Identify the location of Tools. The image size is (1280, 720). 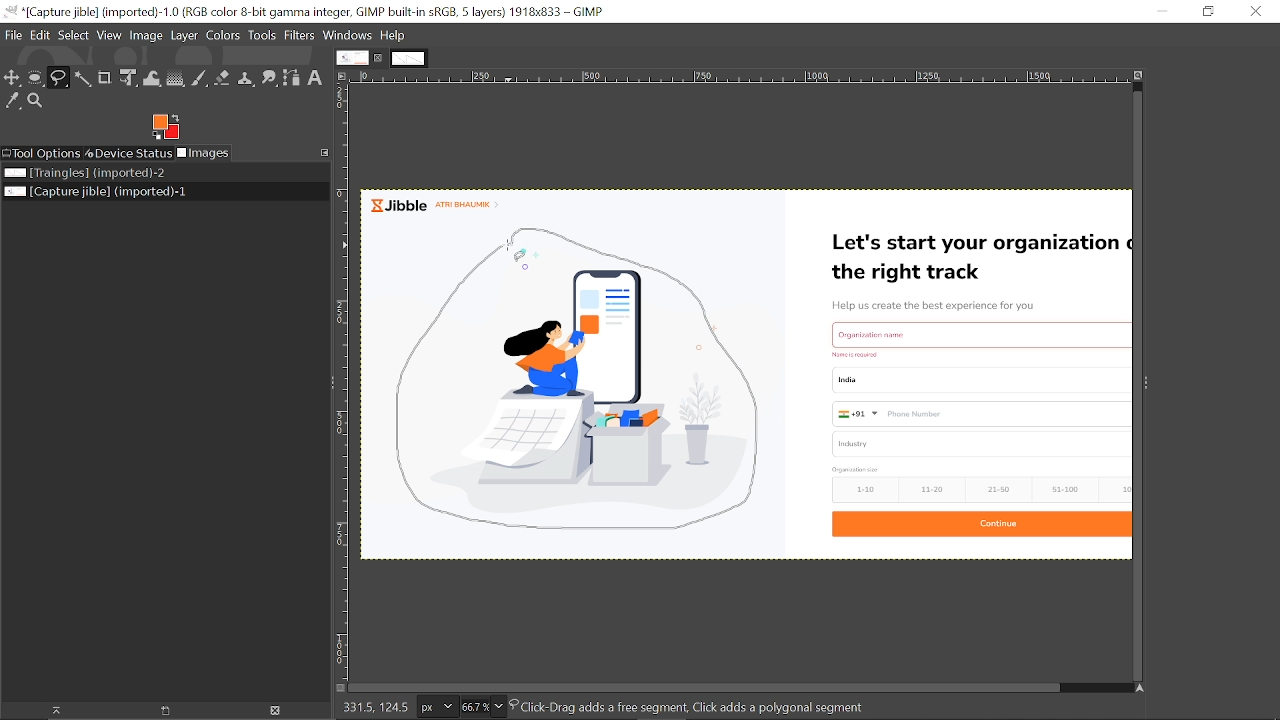
(262, 36).